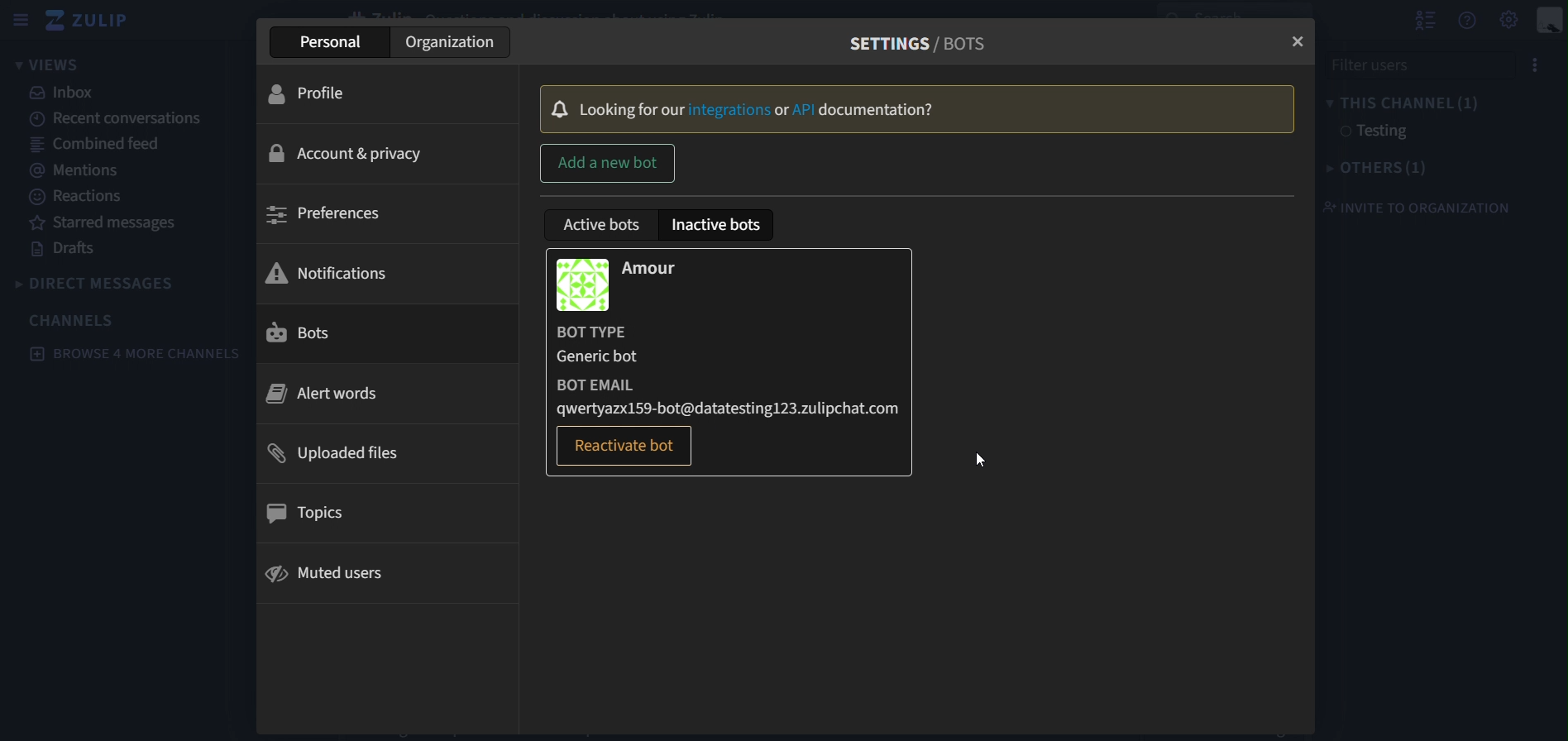 This screenshot has height=741, width=1568. What do you see at coordinates (667, 268) in the screenshot?
I see `Amour` at bounding box center [667, 268].